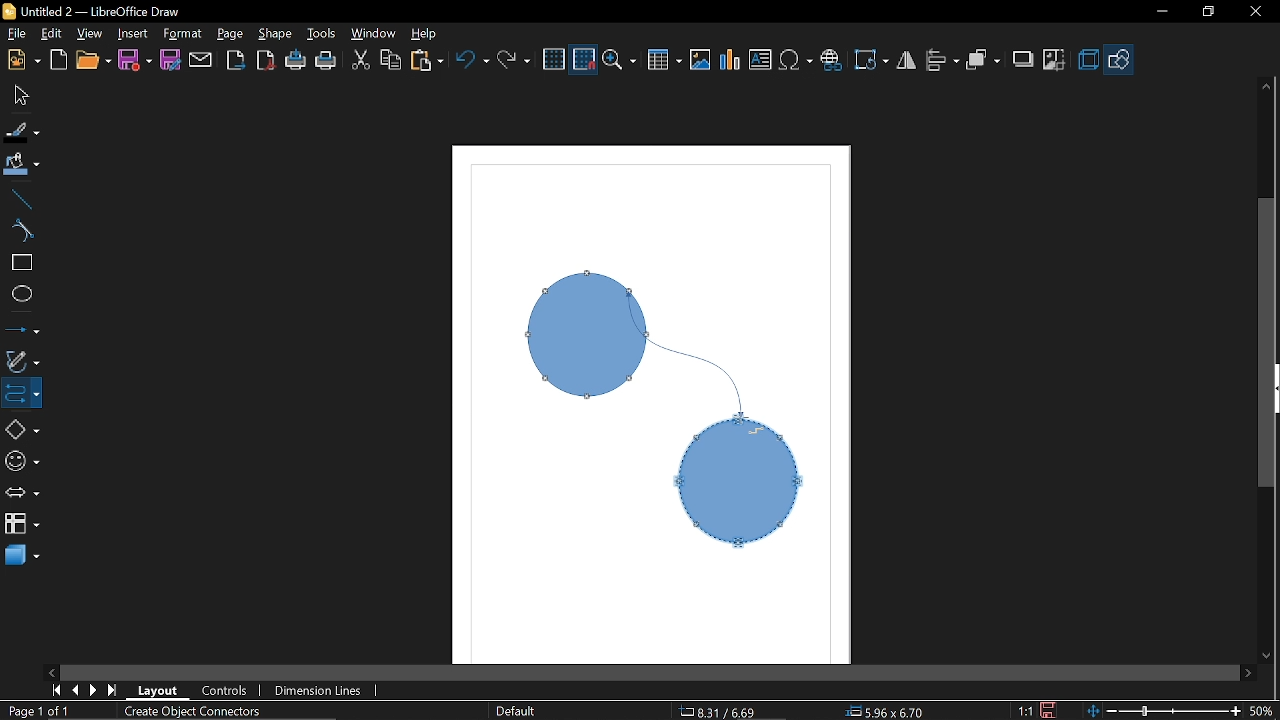 The height and width of the screenshot is (720, 1280). What do you see at coordinates (1270, 659) in the screenshot?
I see `Move down` at bounding box center [1270, 659].